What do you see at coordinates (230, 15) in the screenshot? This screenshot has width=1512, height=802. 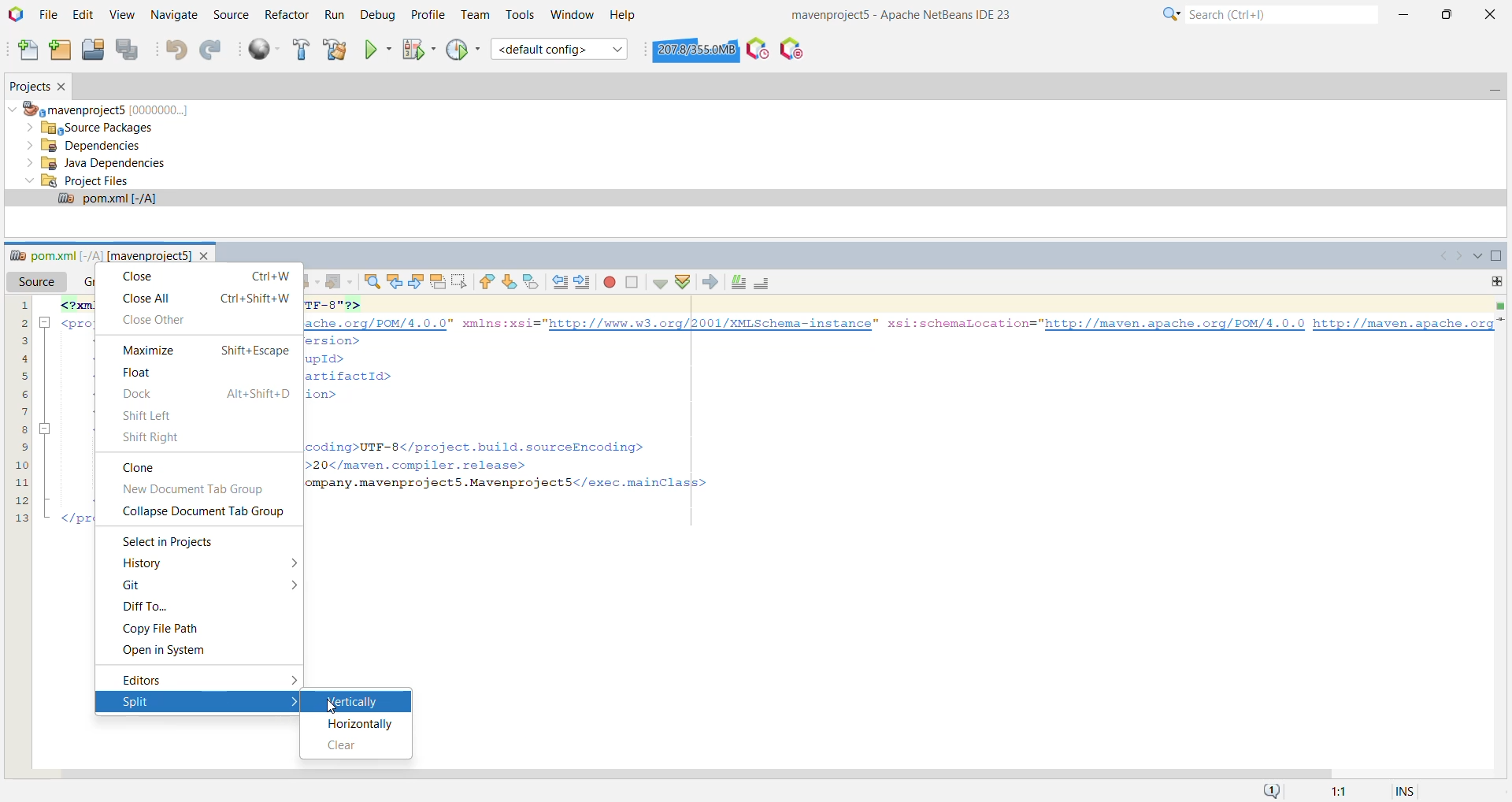 I see `Source` at bounding box center [230, 15].